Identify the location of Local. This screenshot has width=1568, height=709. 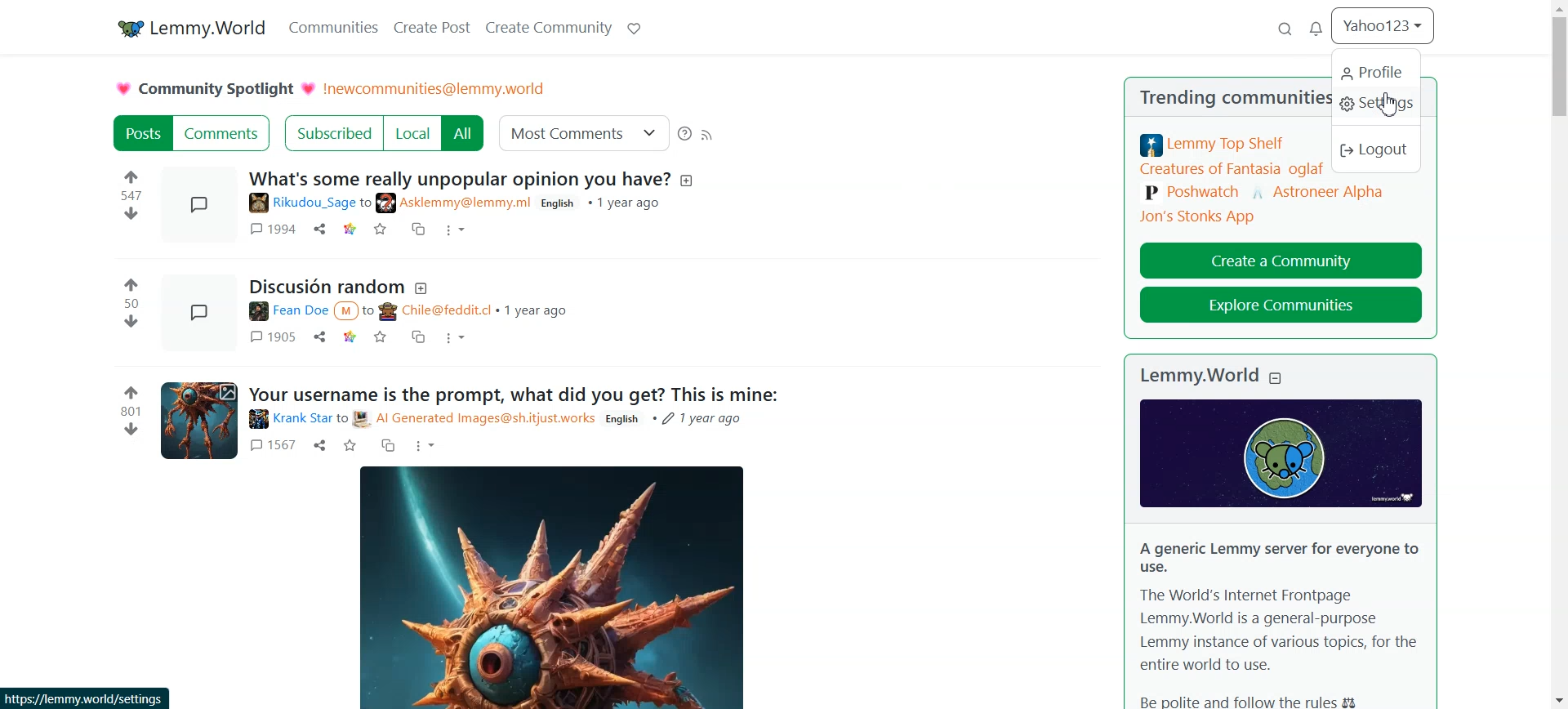
(412, 133).